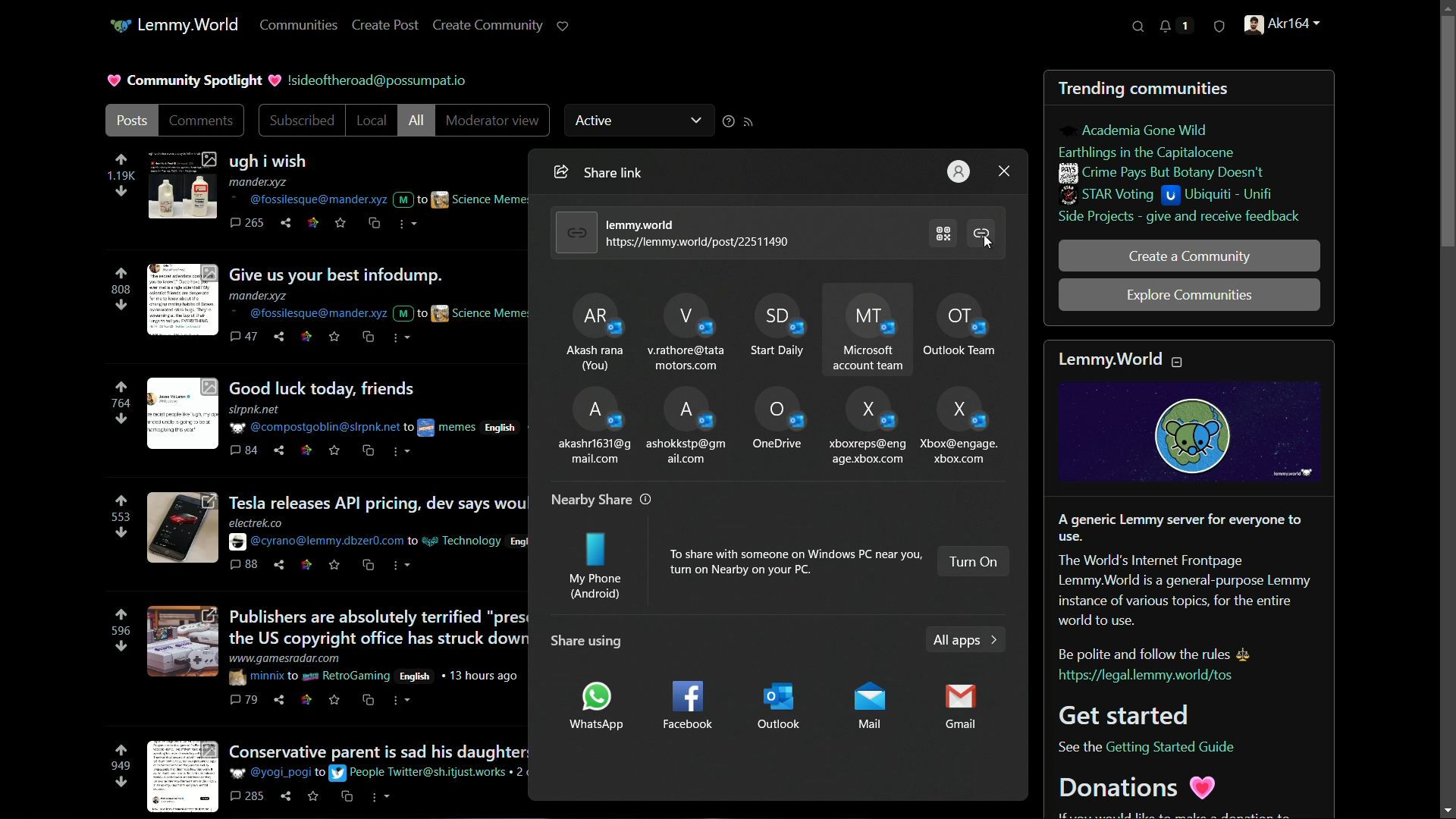 Image resolution: width=1456 pixels, height=819 pixels. What do you see at coordinates (1108, 196) in the screenshot?
I see `star voting` at bounding box center [1108, 196].